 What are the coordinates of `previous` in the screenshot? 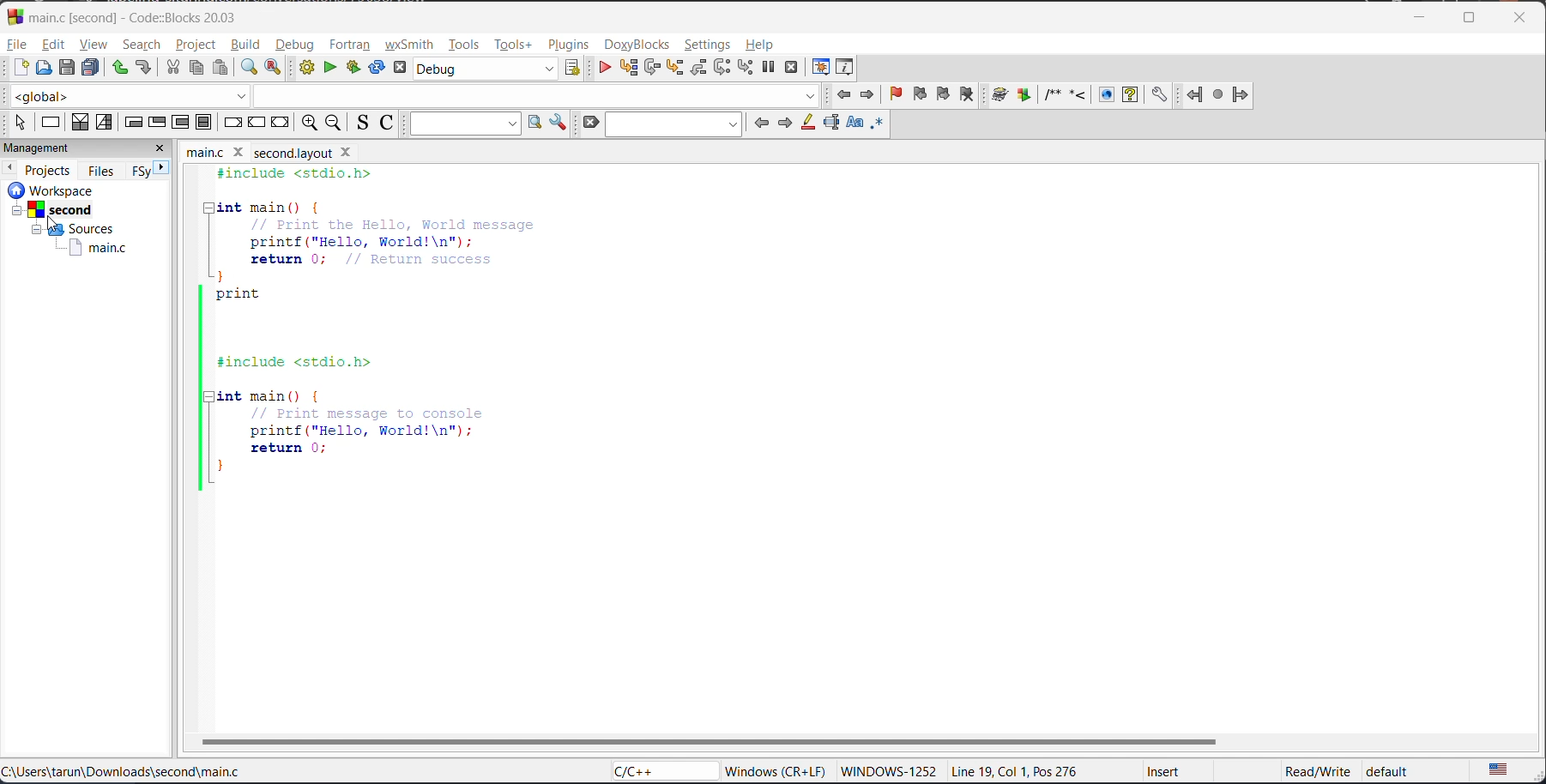 It's located at (9, 168).